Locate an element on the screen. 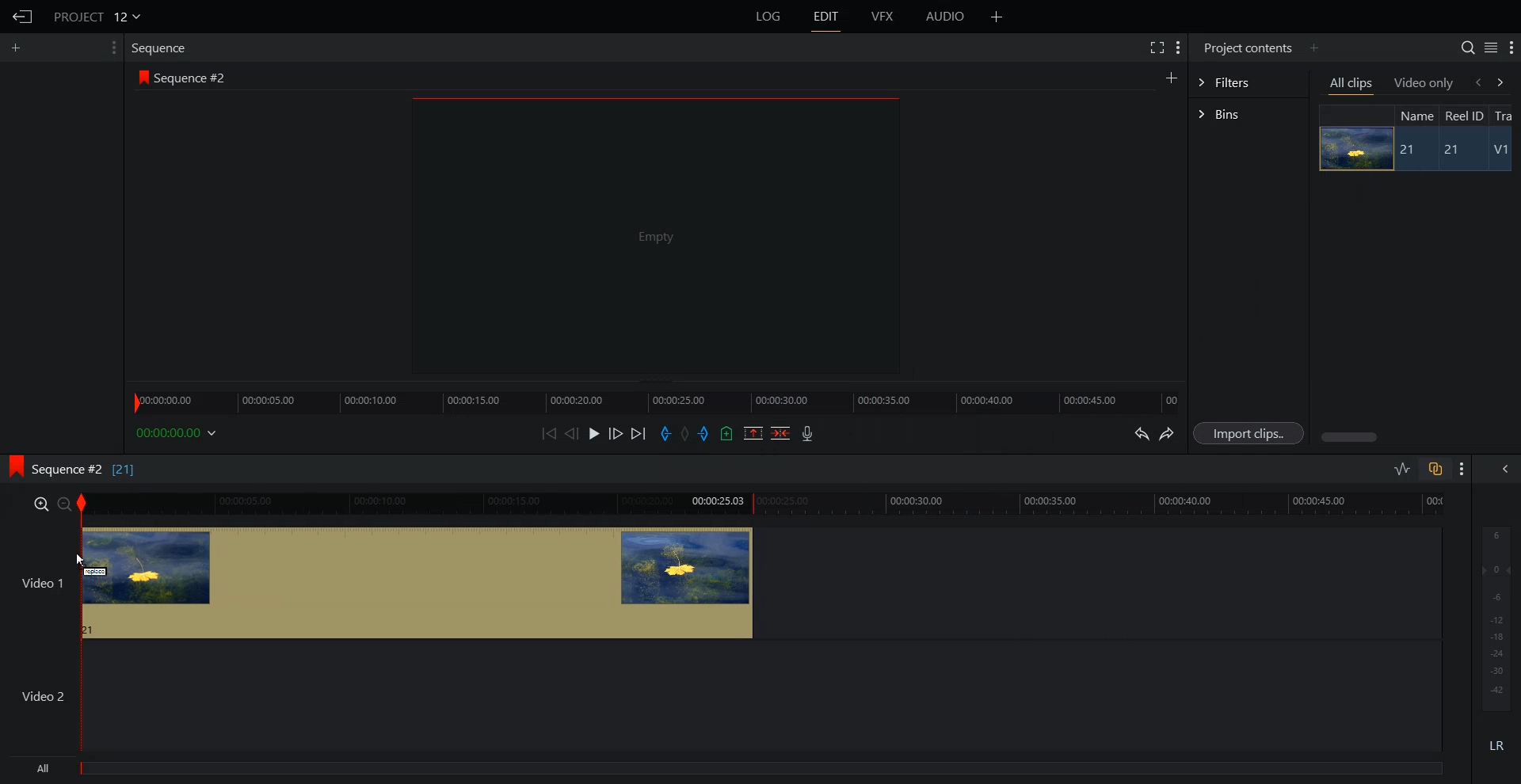 The width and height of the screenshot is (1521, 784). AUDIO is located at coordinates (947, 17).